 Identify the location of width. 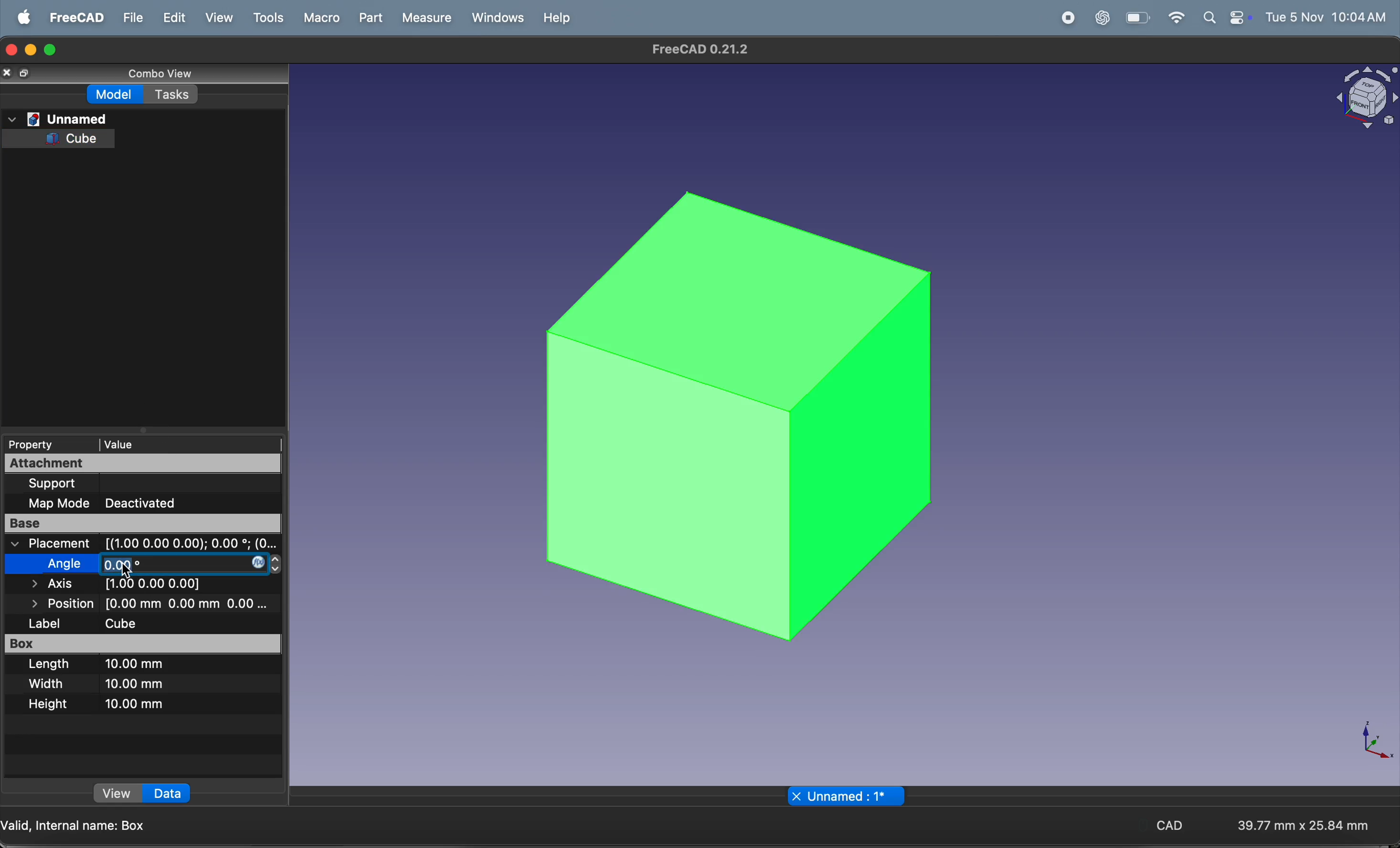
(44, 686).